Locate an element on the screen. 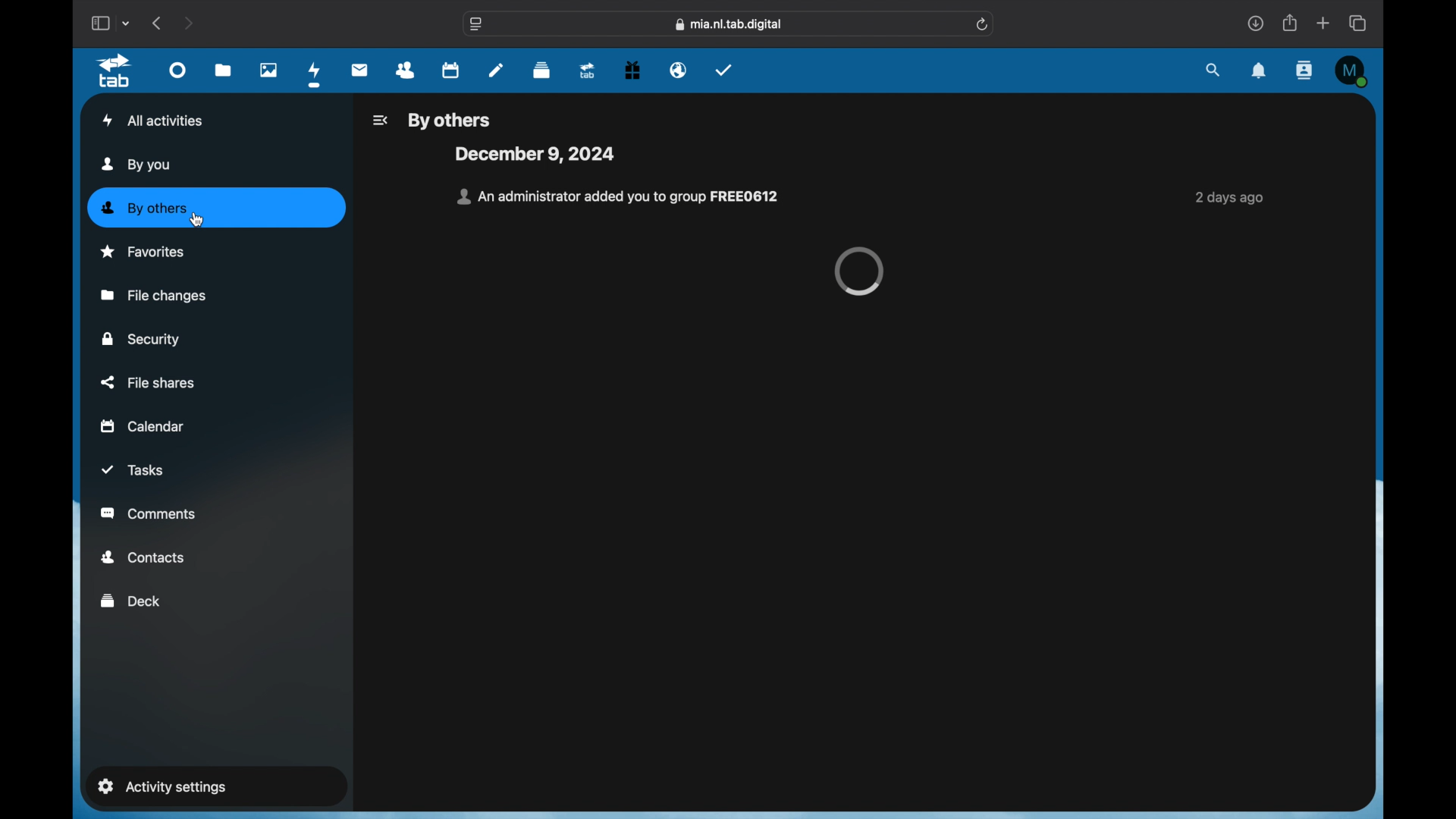 The image size is (1456, 819). contacts is located at coordinates (1304, 71).